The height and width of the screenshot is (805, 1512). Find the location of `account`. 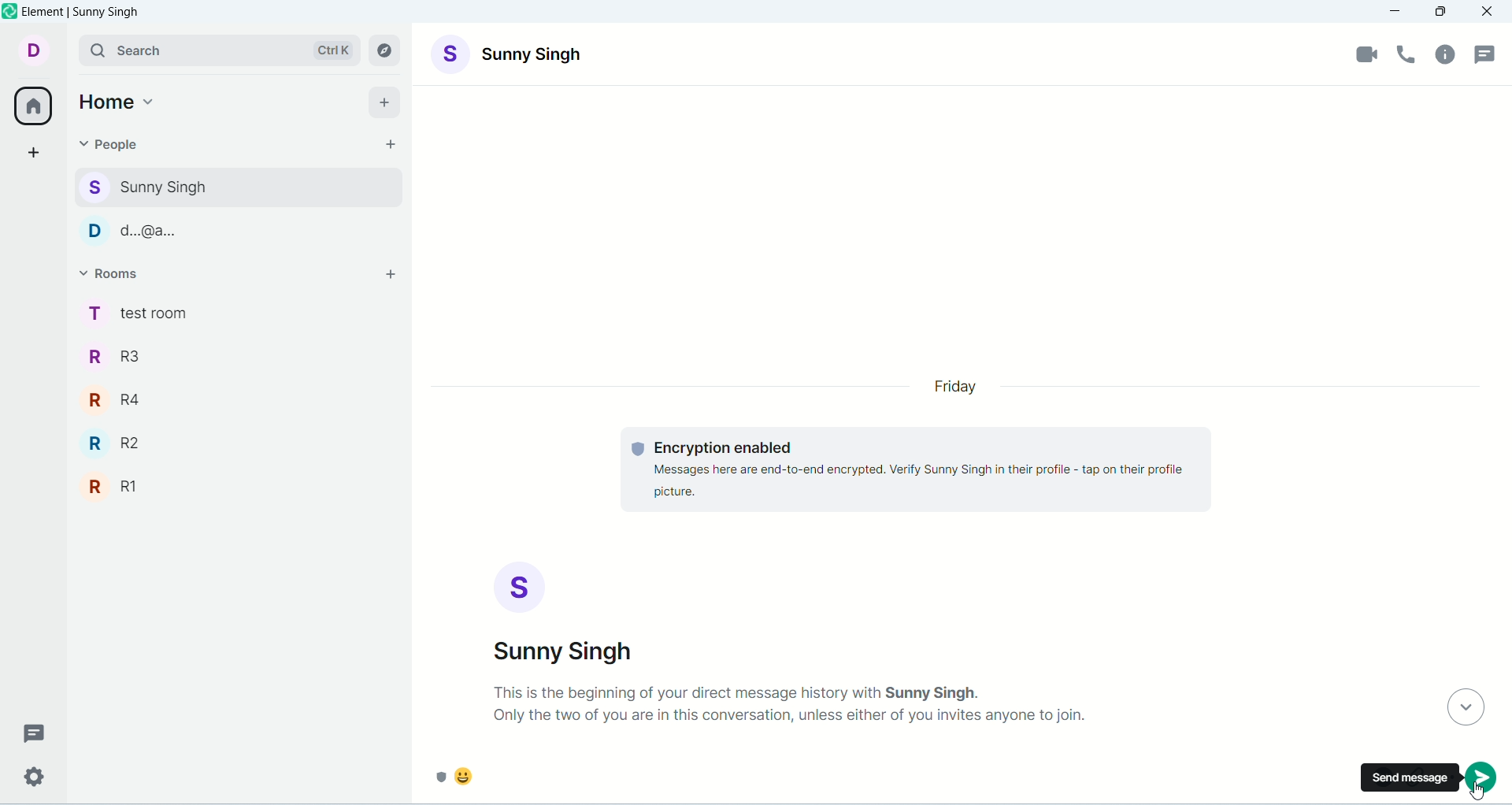

account is located at coordinates (568, 613).